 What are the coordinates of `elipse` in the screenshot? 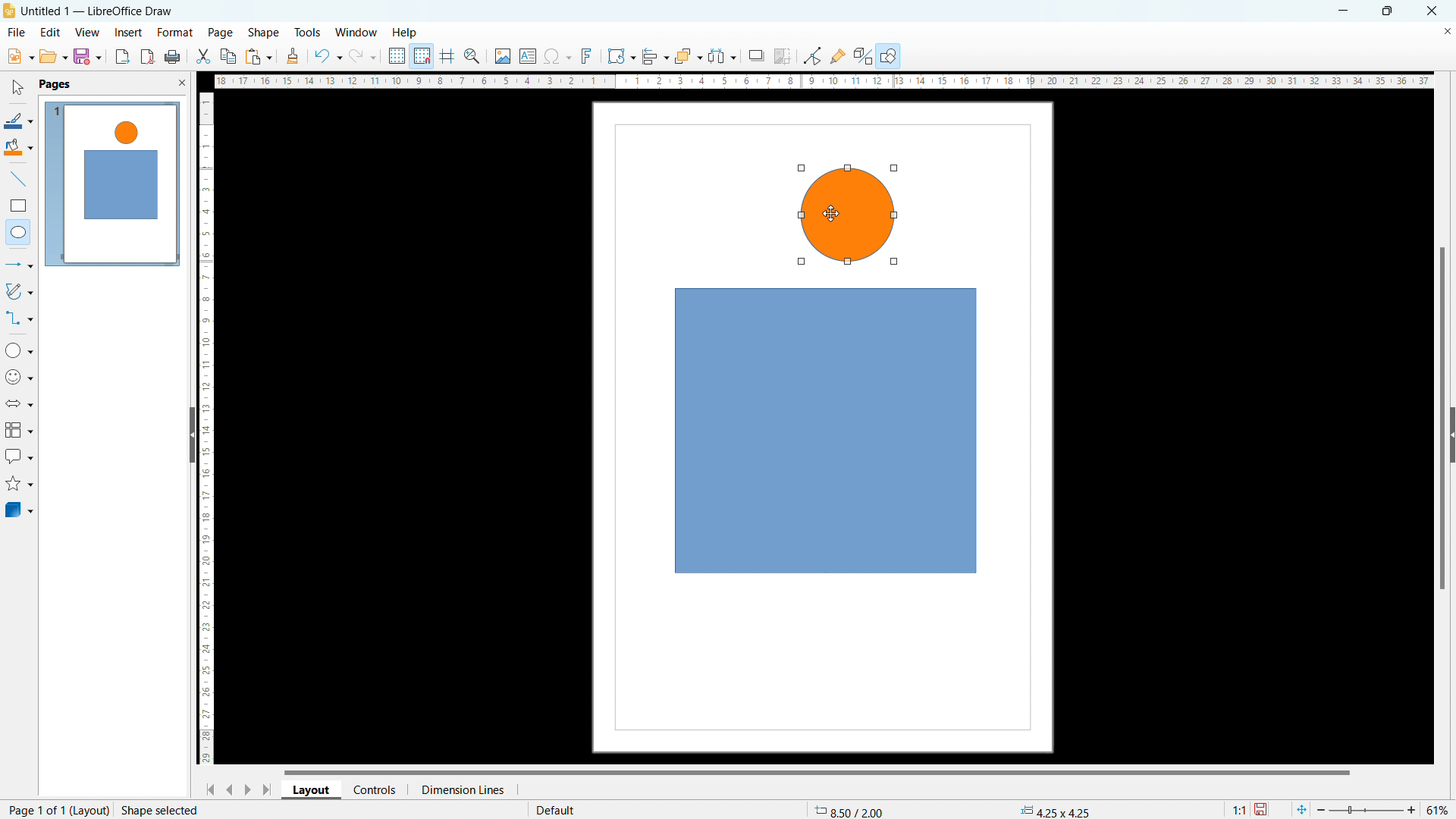 It's located at (18, 231).